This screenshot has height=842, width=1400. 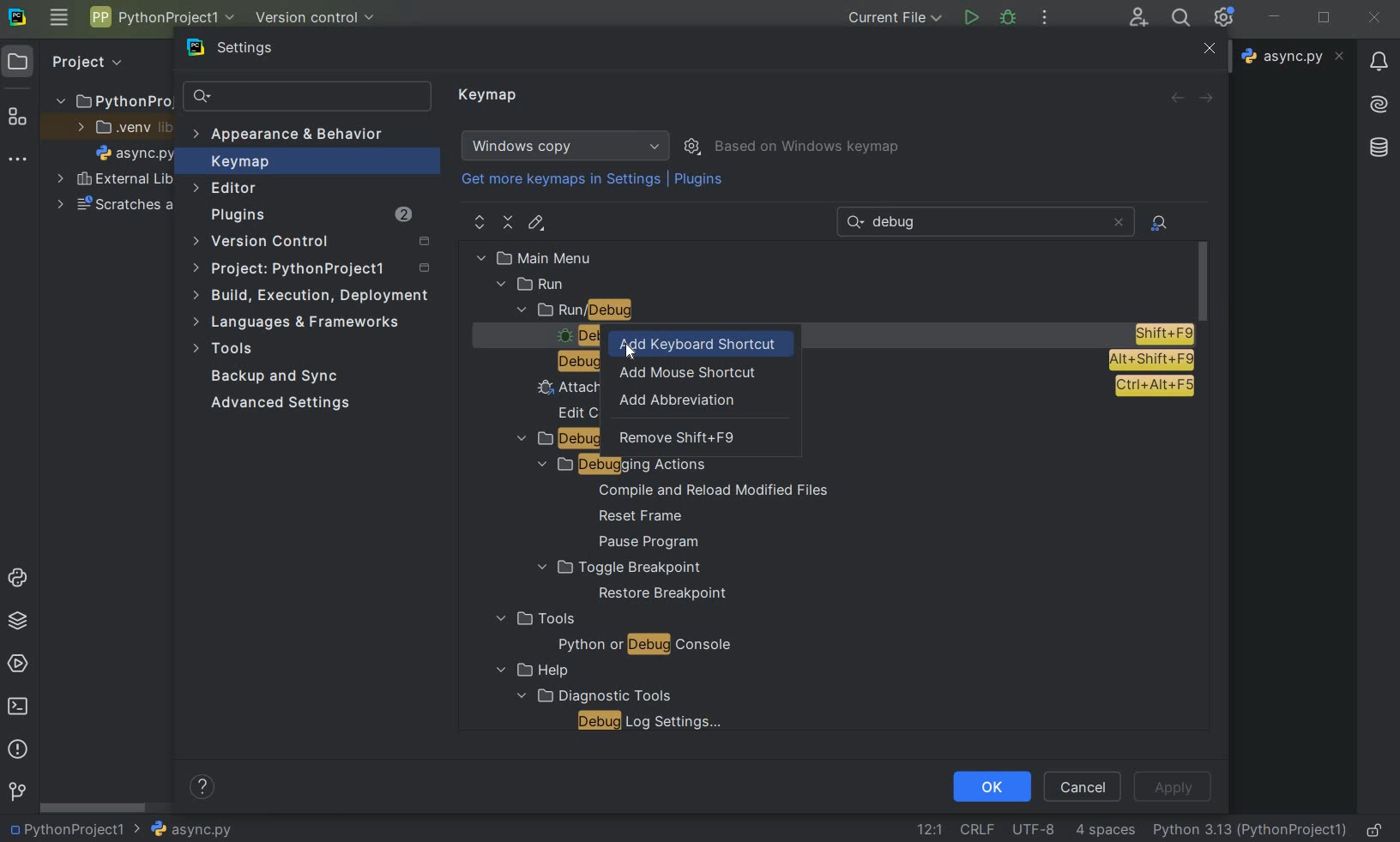 I want to click on remove, so click(x=679, y=442).